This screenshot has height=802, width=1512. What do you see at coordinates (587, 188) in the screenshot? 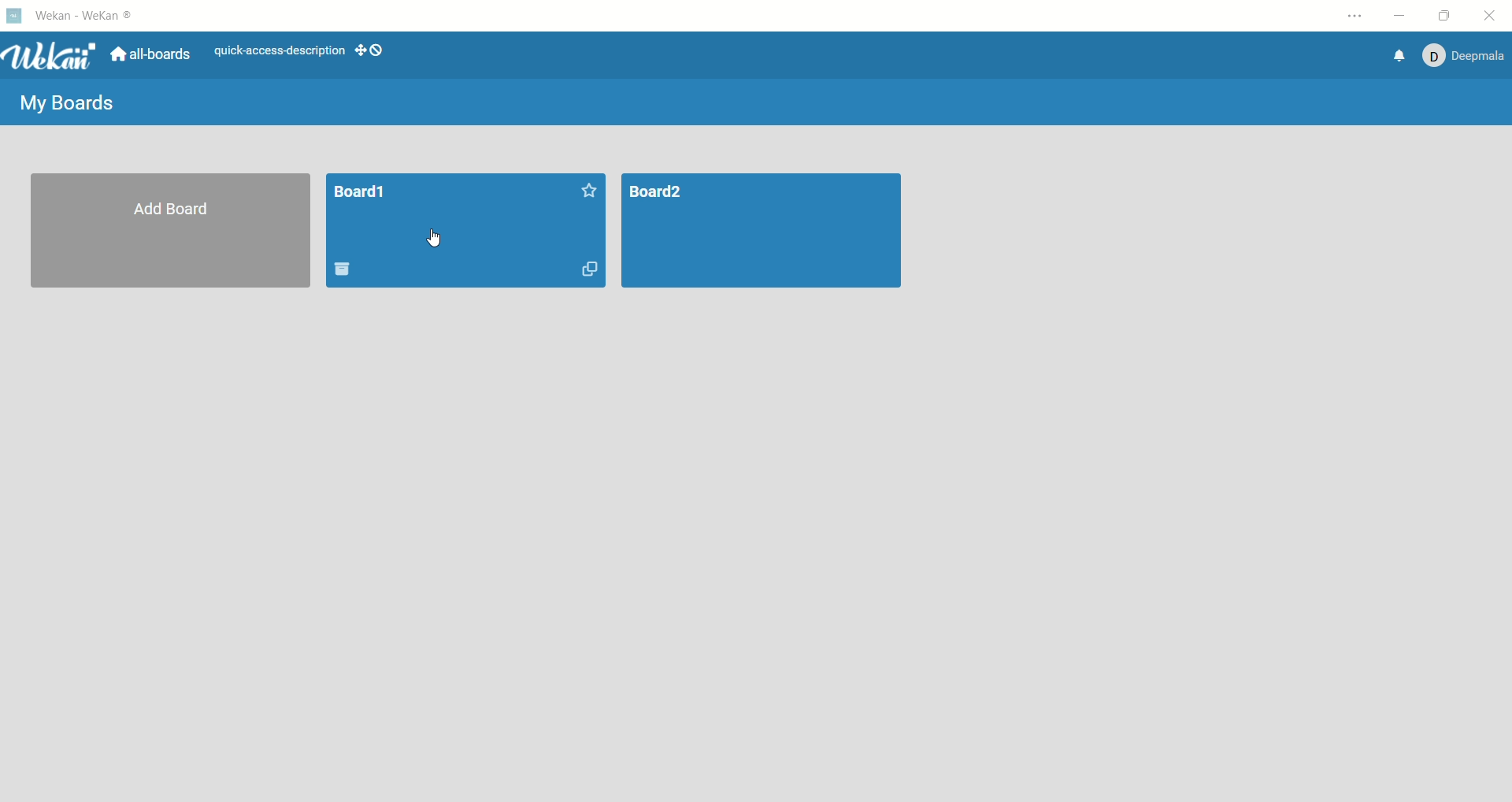
I see `favorite` at bounding box center [587, 188].